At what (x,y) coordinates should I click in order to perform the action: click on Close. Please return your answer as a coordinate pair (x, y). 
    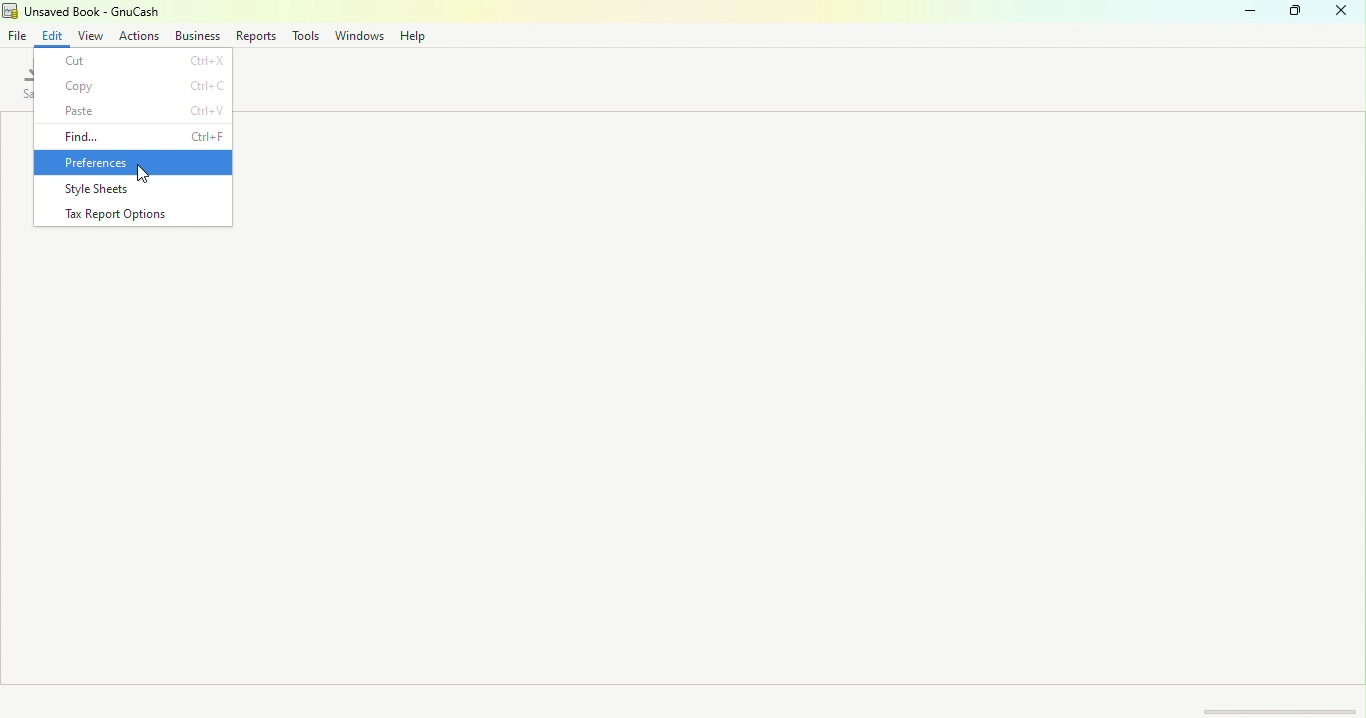
    Looking at the image, I should click on (1345, 14).